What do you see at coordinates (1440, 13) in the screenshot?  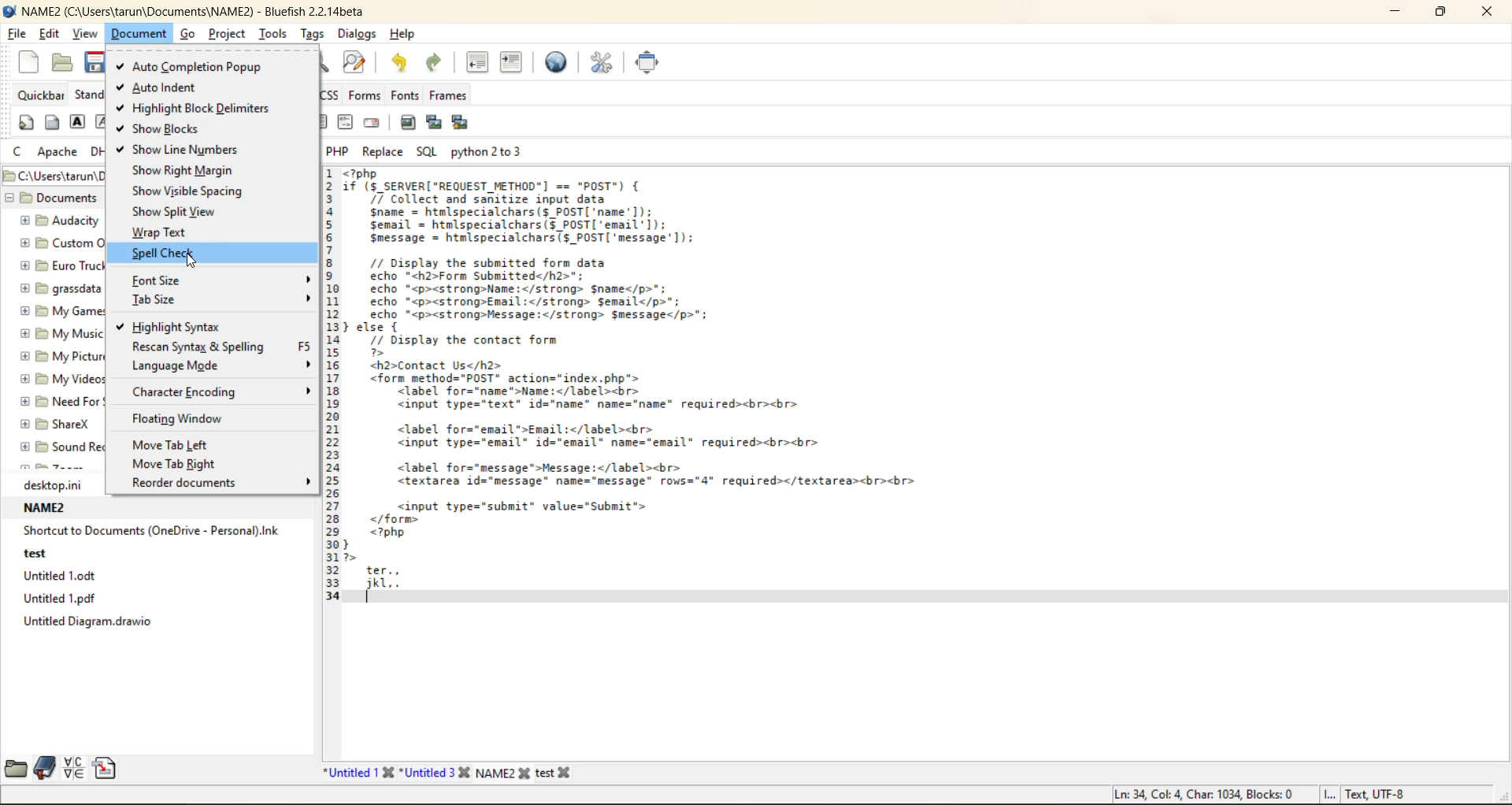 I see `maximize` at bounding box center [1440, 13].